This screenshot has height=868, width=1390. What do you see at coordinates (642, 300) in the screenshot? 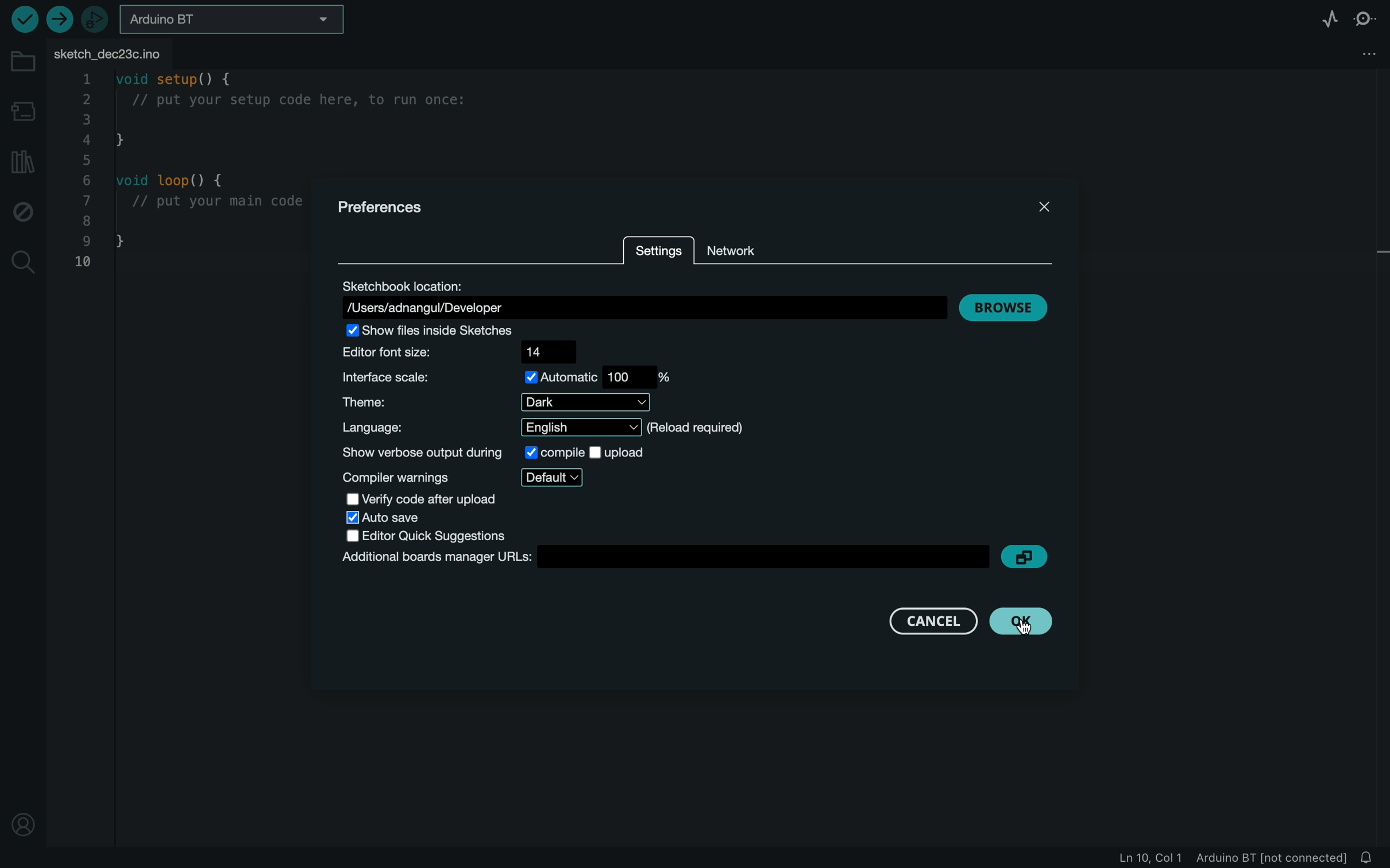
I see `location` at bounding box center [642, 300].